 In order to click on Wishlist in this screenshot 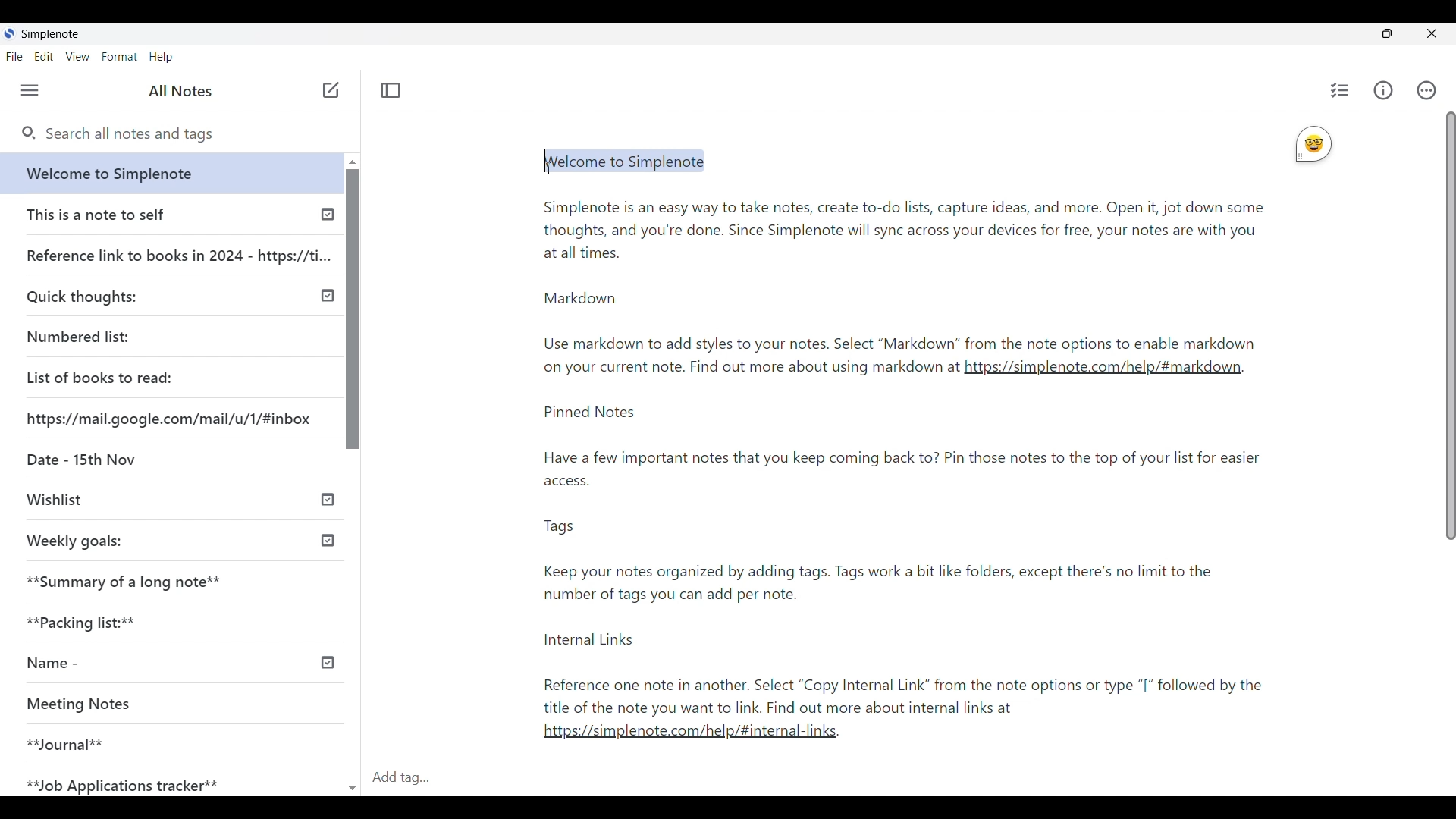, I will do `click(54, 497)`.